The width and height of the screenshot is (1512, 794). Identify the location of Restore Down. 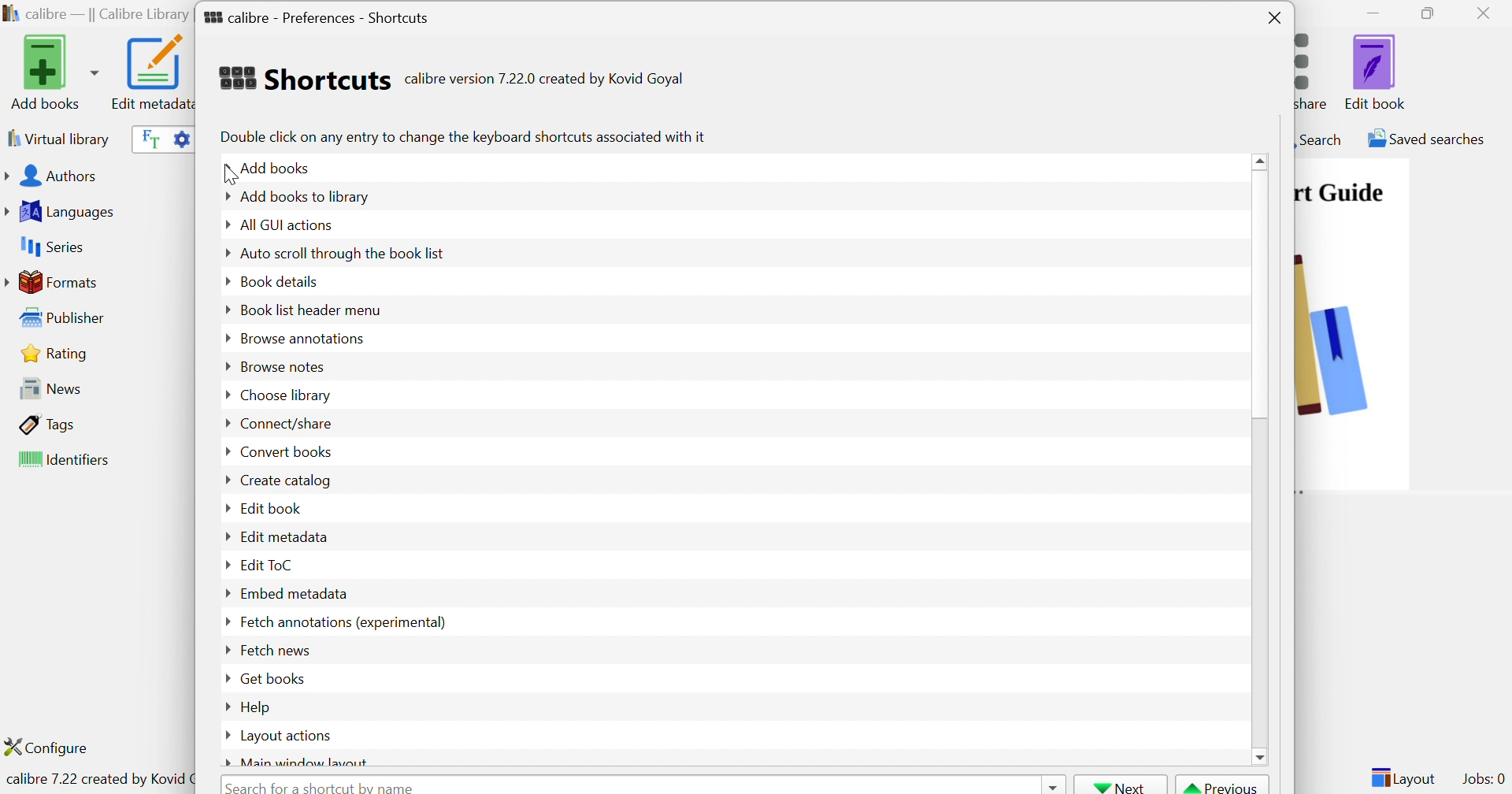
(1432, 14).